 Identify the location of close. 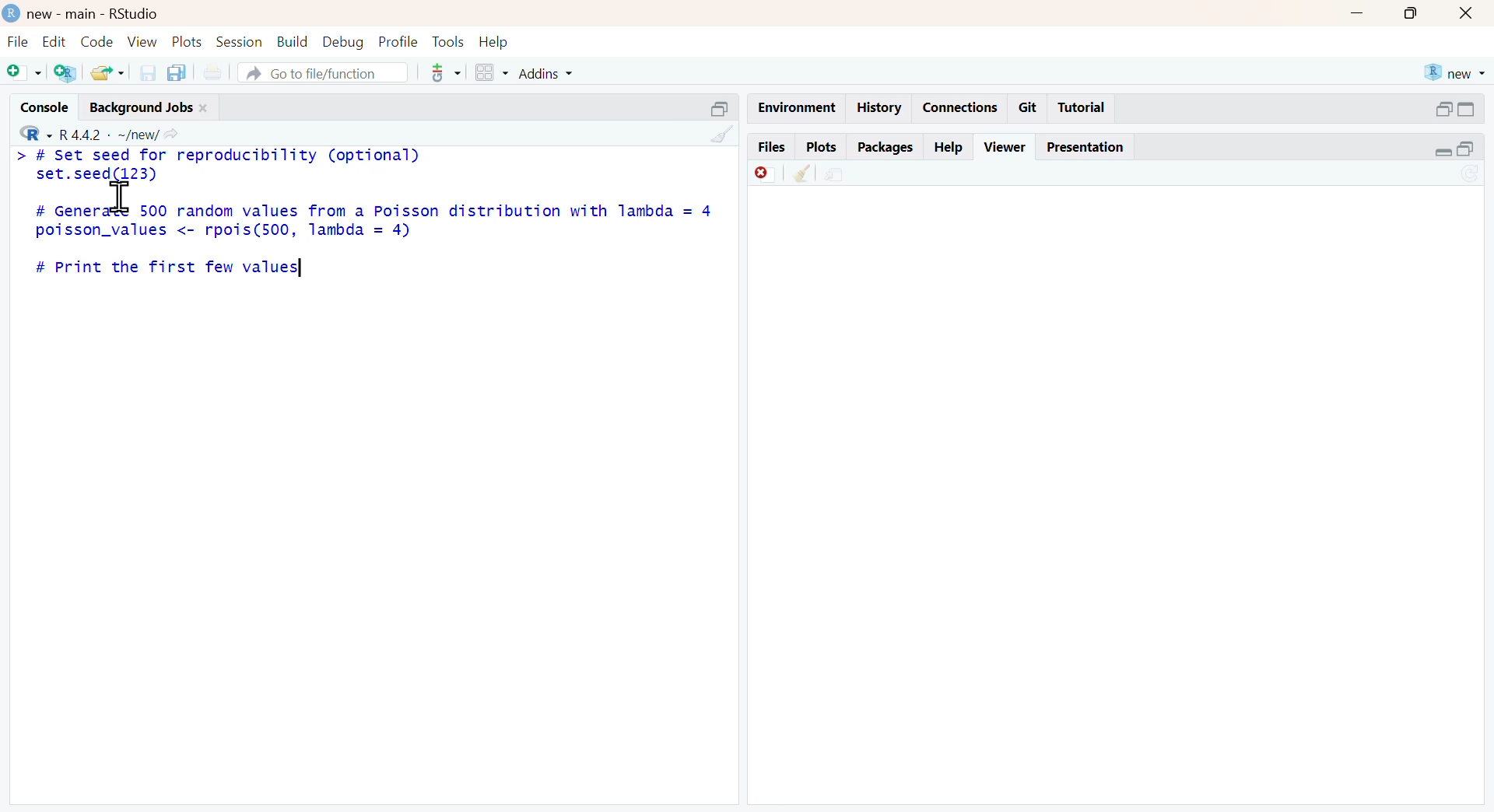
(205, 108).